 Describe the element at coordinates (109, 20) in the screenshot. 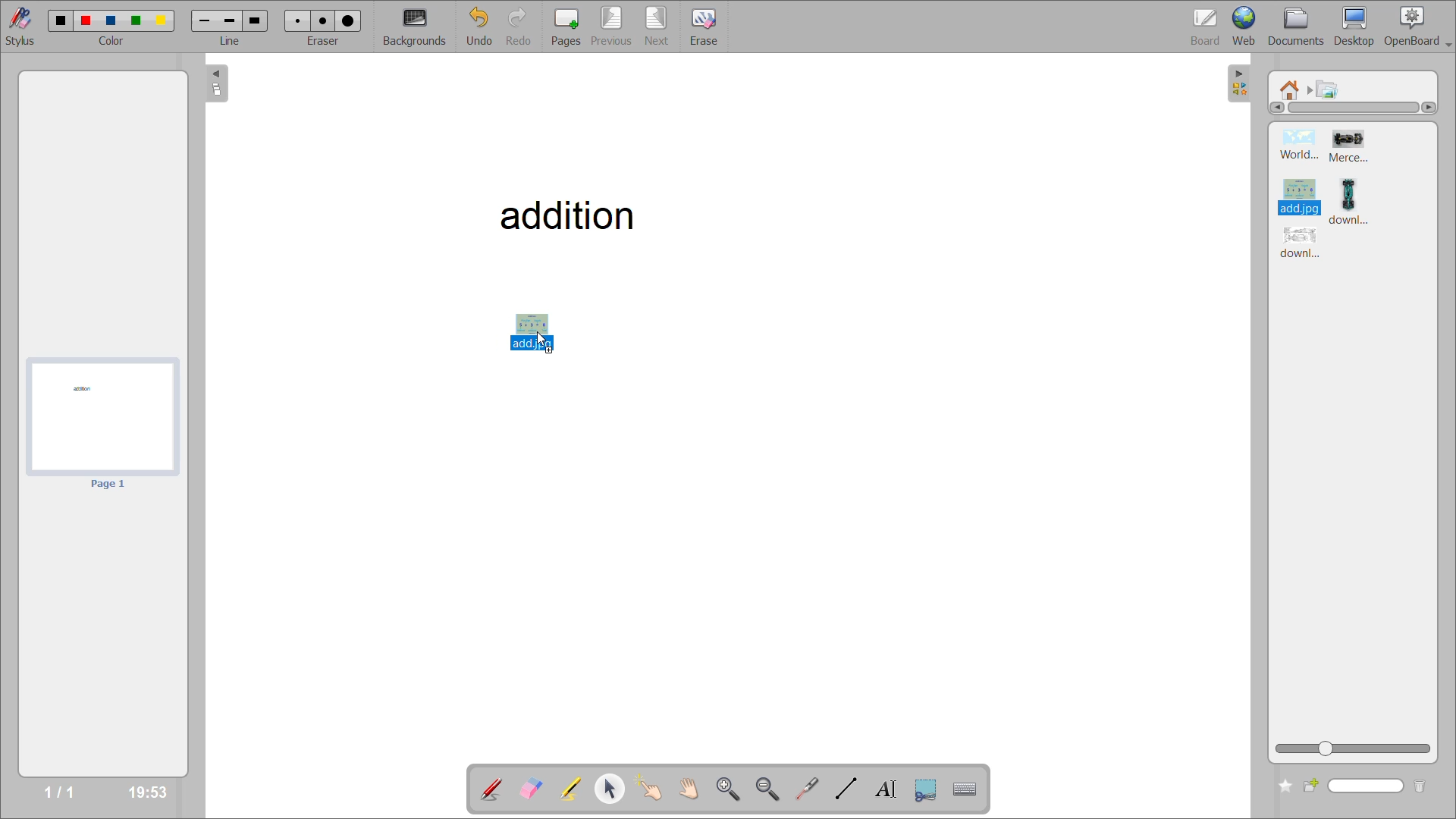

I see `color 3` at that location.